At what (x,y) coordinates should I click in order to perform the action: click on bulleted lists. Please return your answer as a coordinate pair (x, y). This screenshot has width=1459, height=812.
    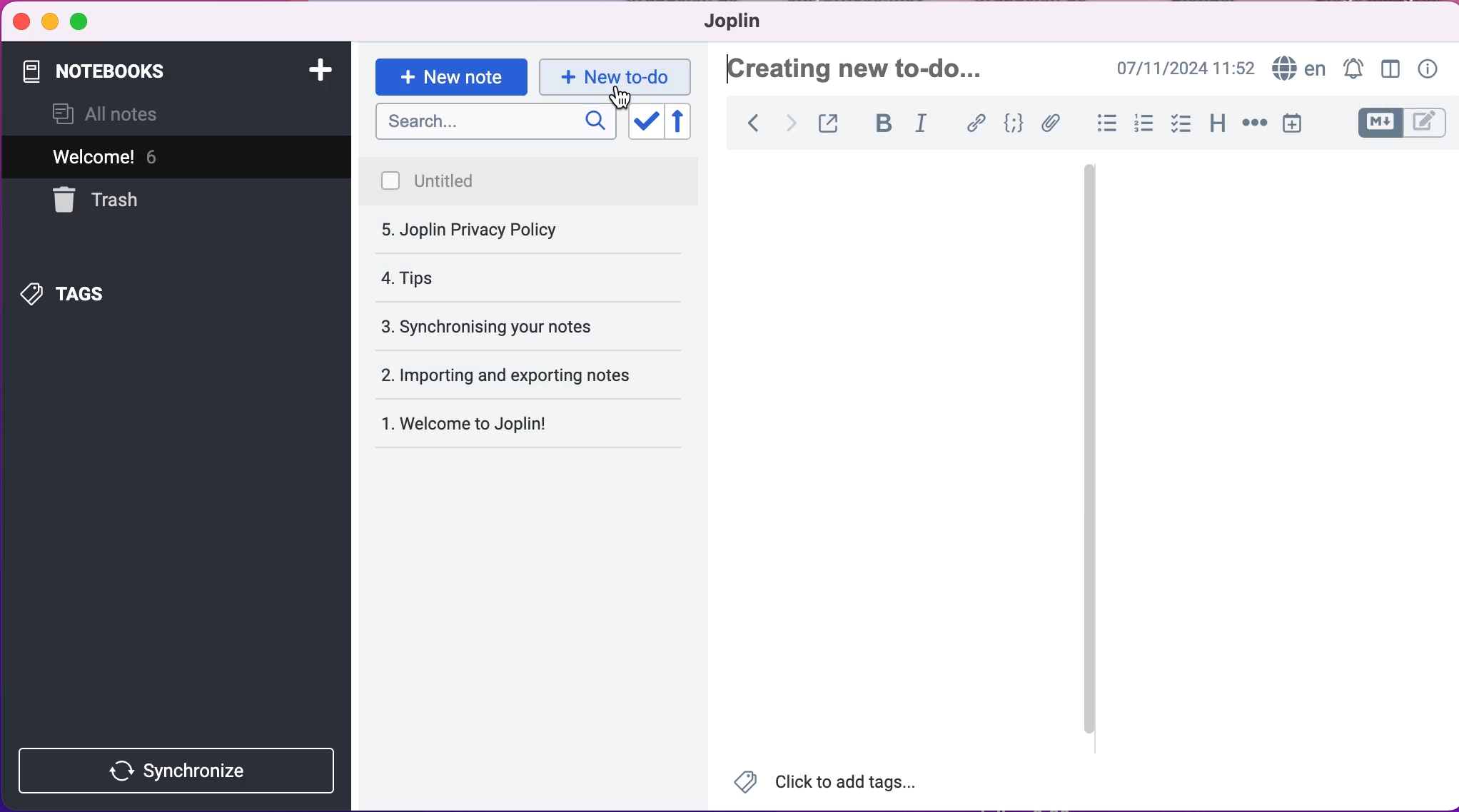
    Looking at the image, I should click on (1104, 127).